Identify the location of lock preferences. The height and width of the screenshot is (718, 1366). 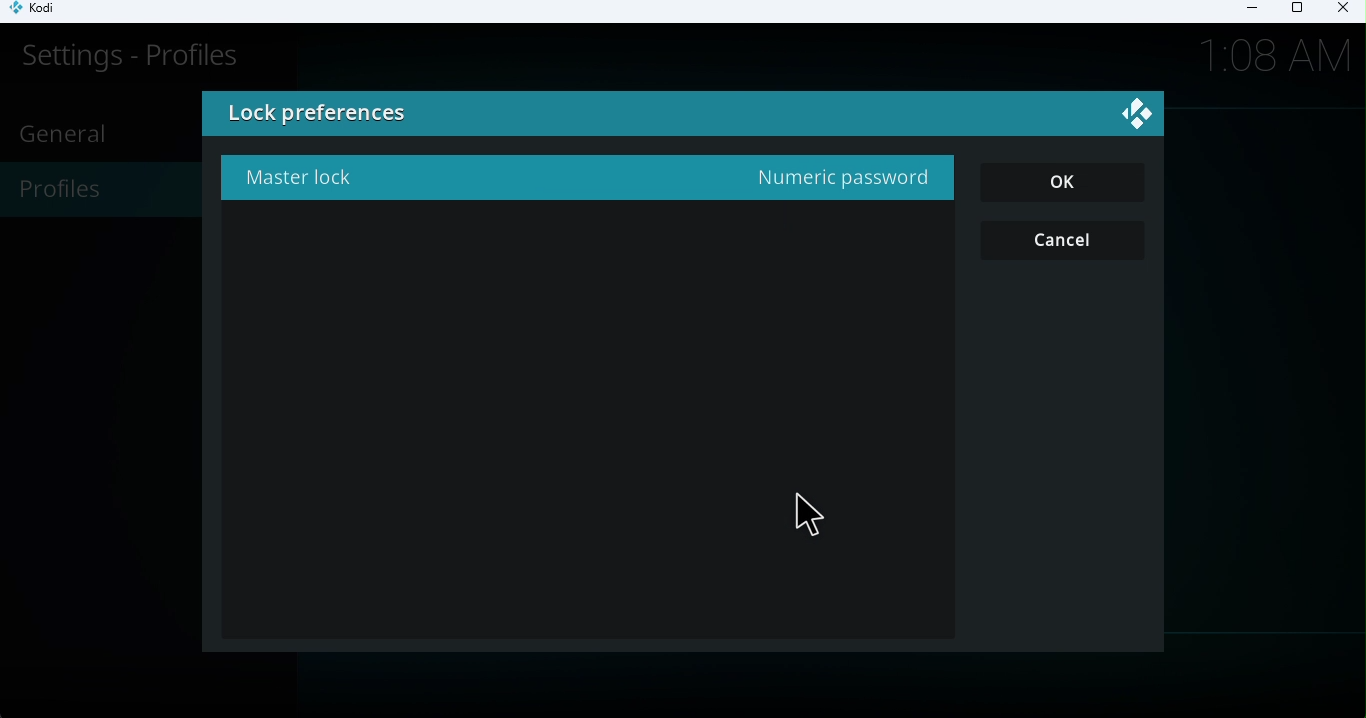
(470, 116).